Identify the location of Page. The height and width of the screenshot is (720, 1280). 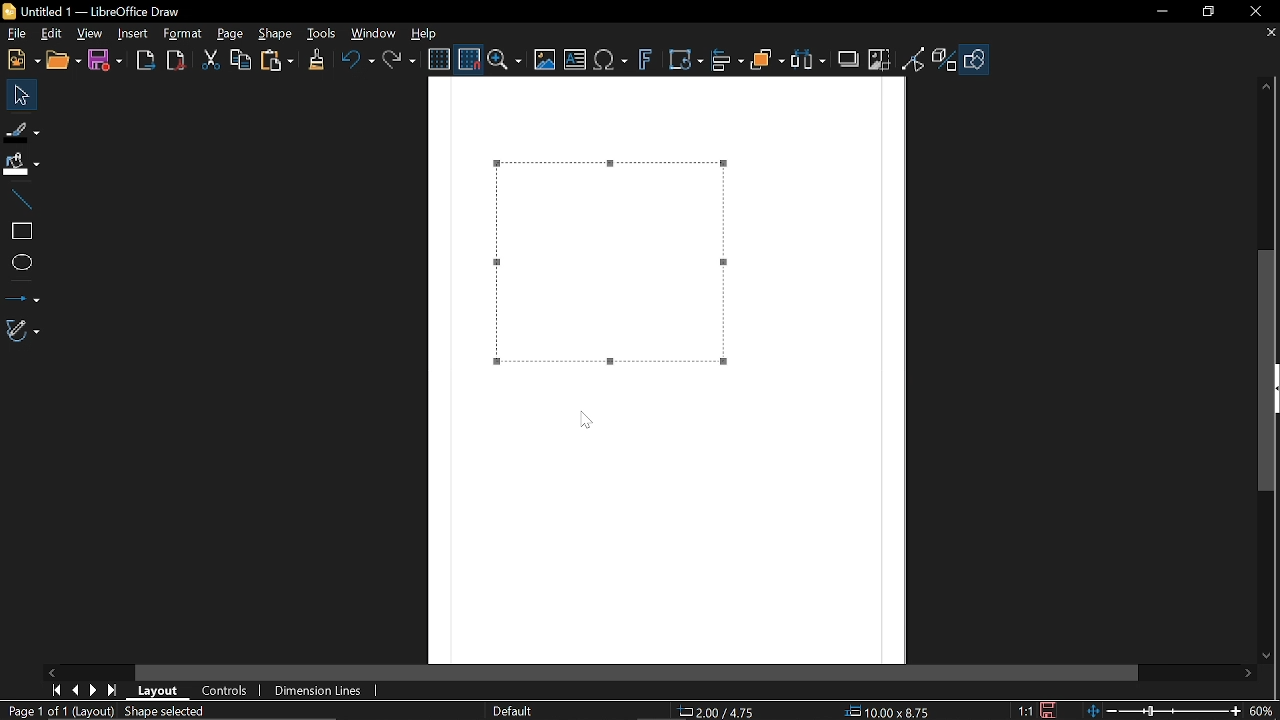
(230, 35).